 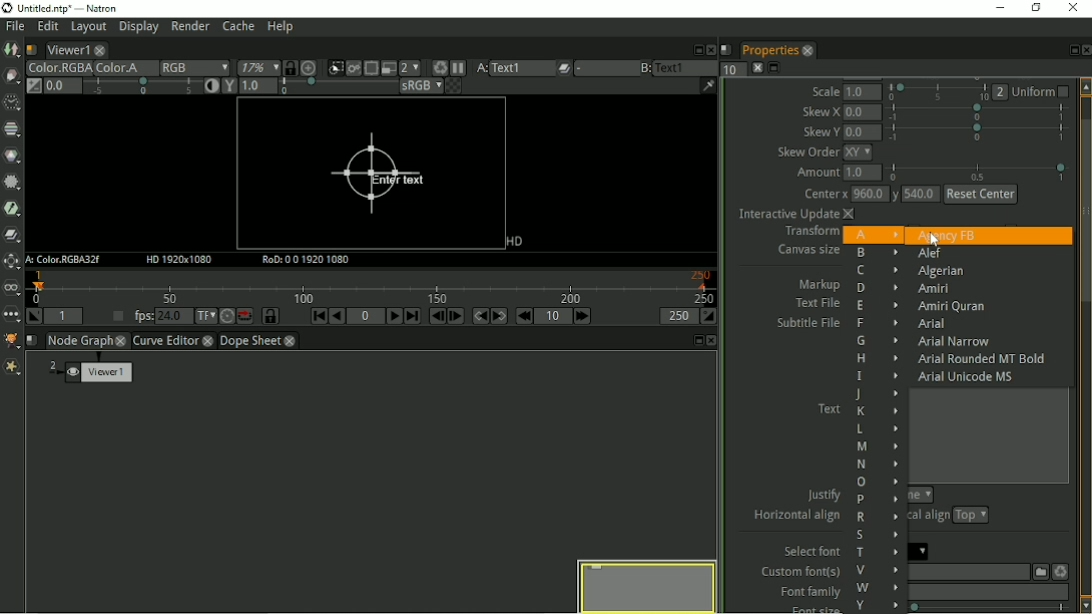 What do you see at coordinates (564, 68) in the screenshot?
I see `Operations applied between A and B` at bounding box center [564, 68].